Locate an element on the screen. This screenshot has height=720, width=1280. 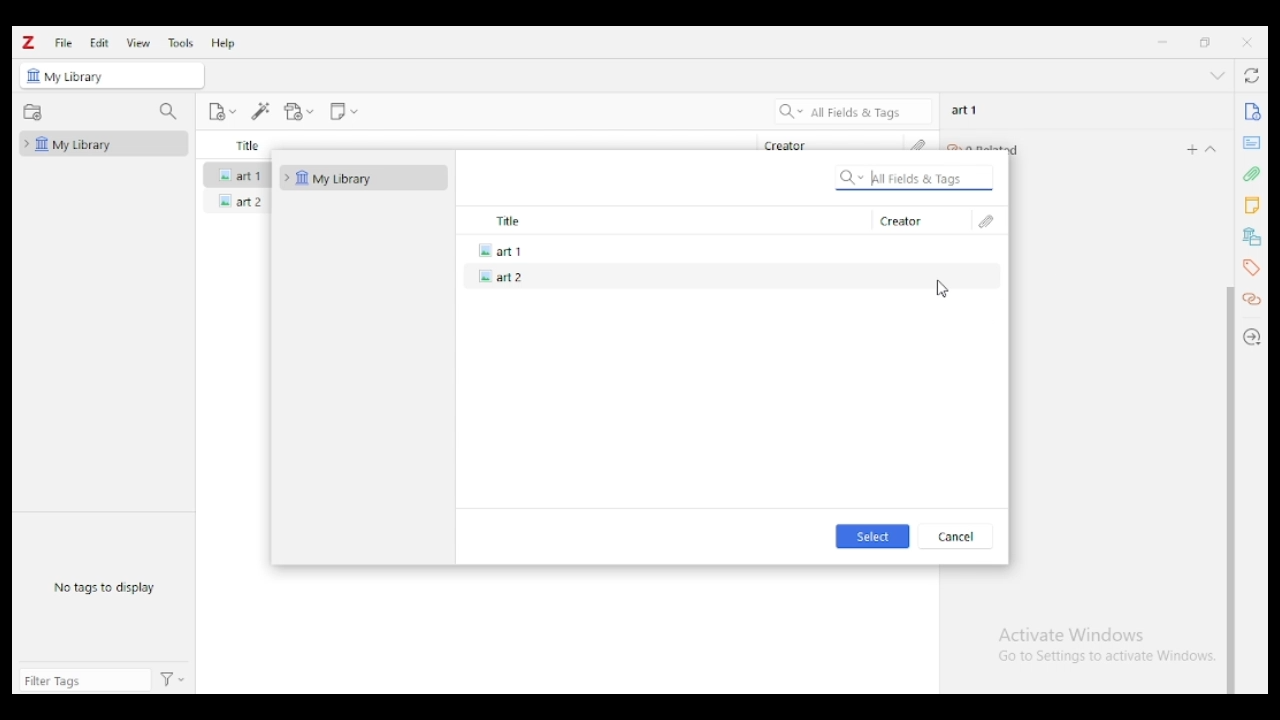
my library is located at coordinates (82, 78).